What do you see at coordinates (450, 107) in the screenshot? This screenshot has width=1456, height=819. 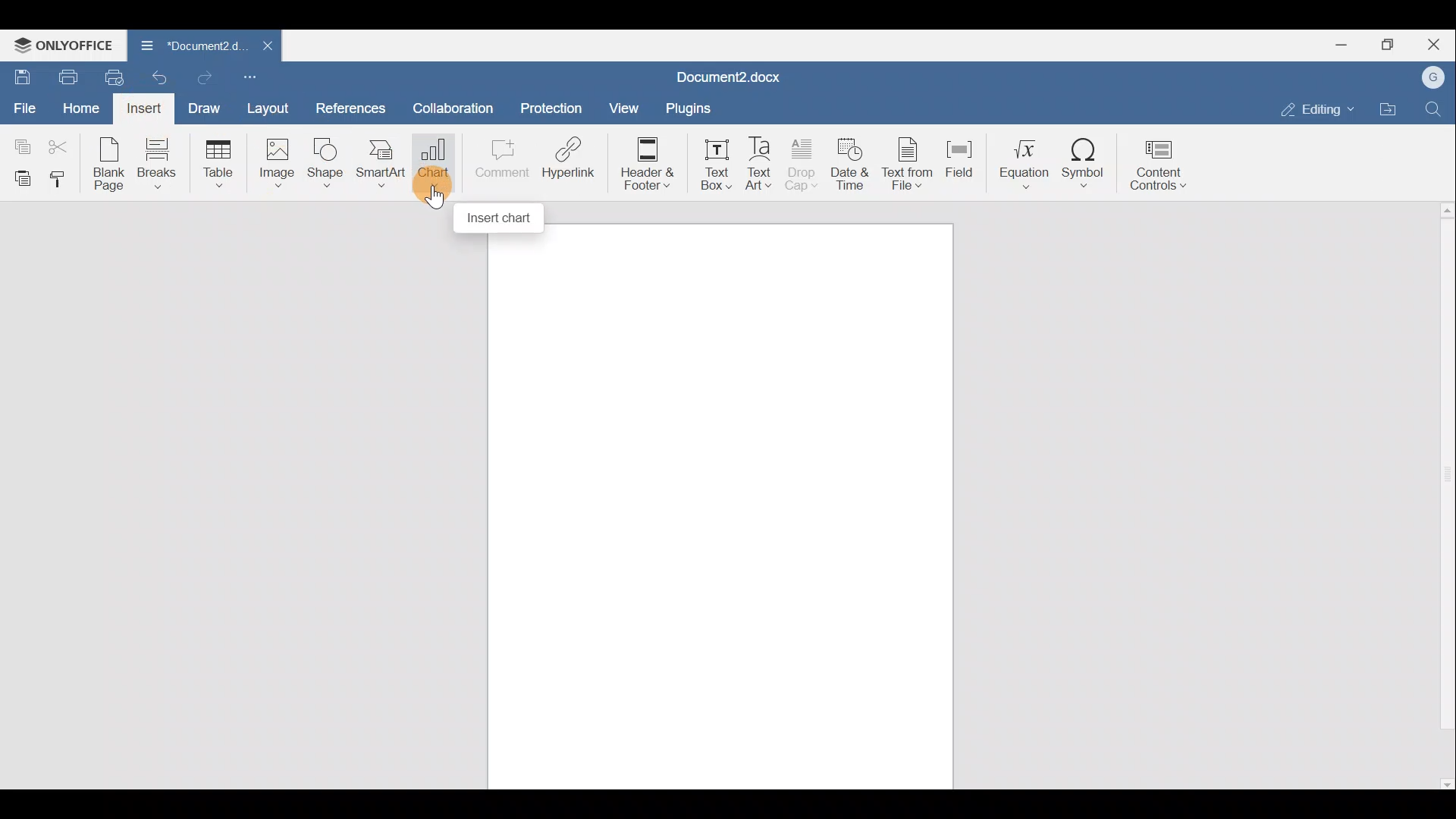 I see `Collaboration` at bounding box center [450, 107].